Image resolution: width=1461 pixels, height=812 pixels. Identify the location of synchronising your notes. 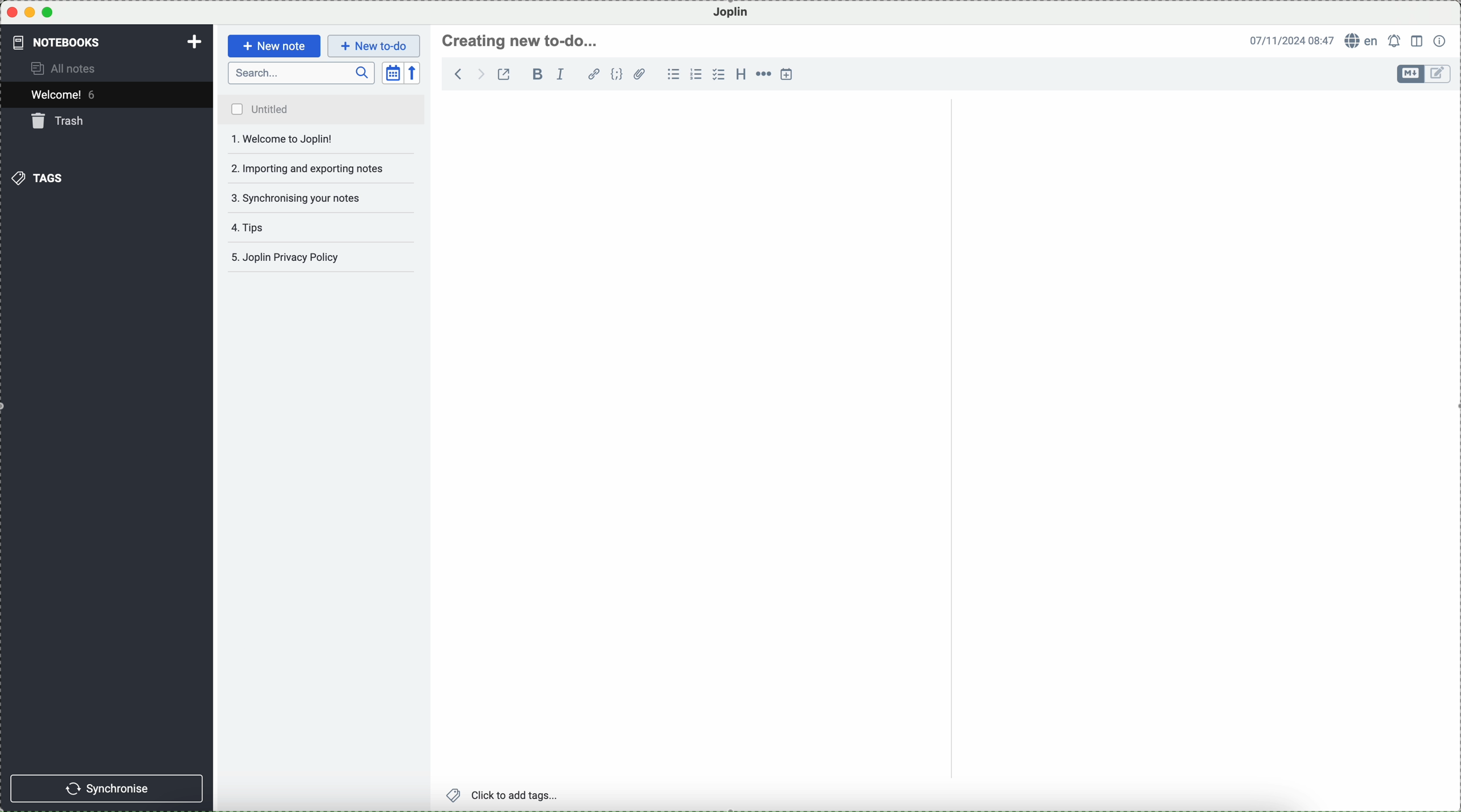
(322, 200).